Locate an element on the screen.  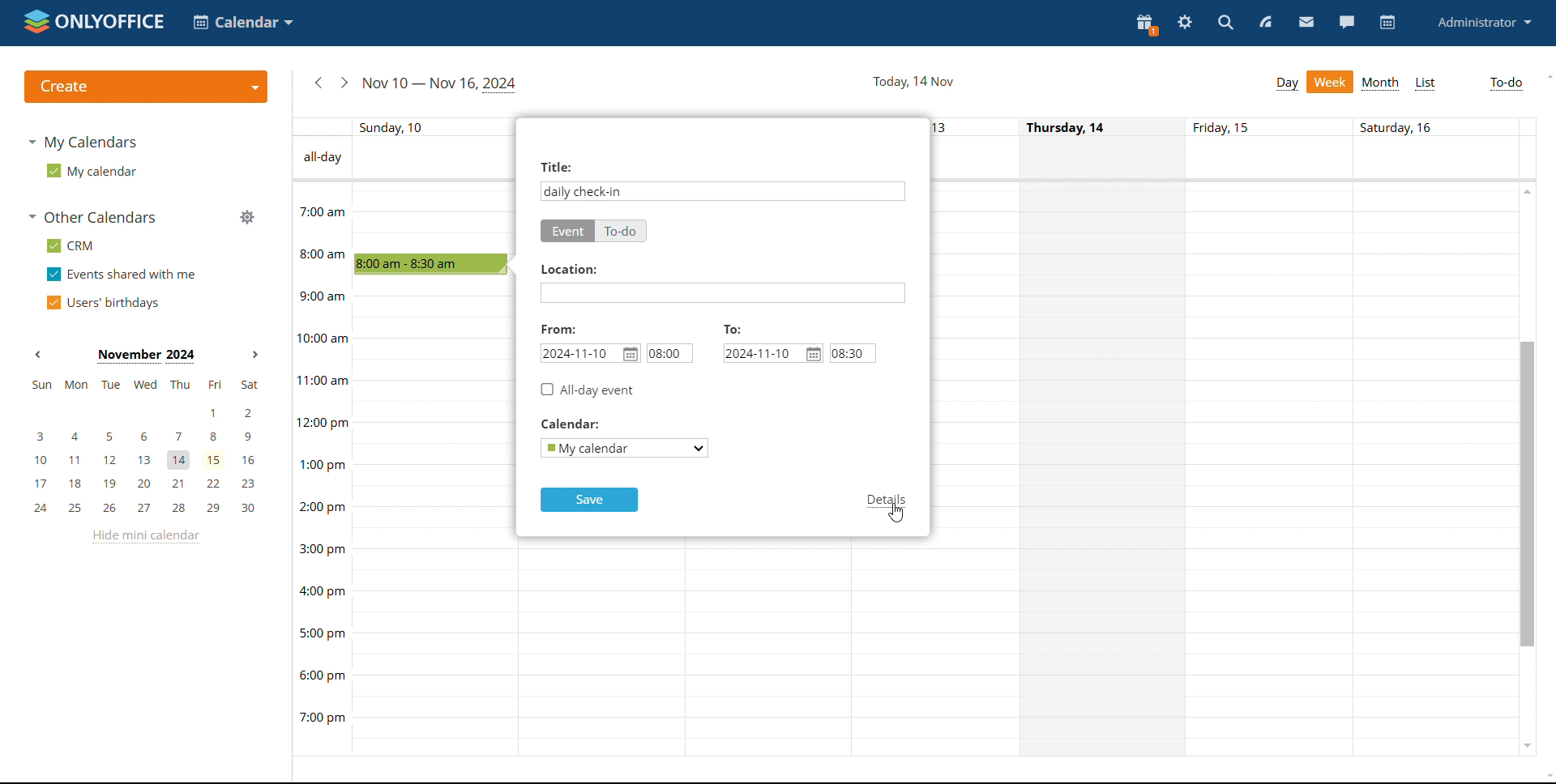
save is located at coordinates (588, 501).